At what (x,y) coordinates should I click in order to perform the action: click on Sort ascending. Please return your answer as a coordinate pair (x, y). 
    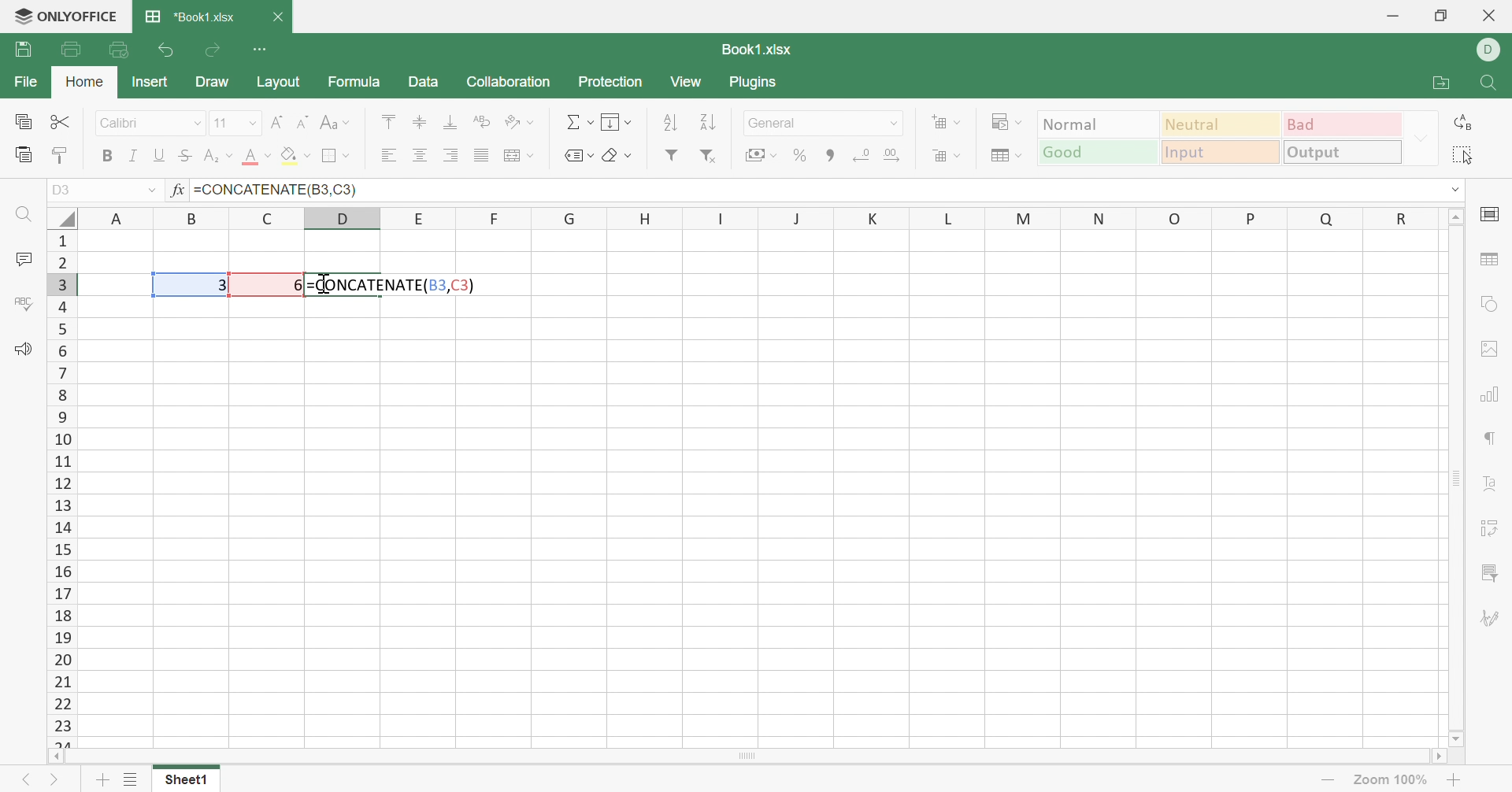
    Looking at the image, I should click on (672, 124).